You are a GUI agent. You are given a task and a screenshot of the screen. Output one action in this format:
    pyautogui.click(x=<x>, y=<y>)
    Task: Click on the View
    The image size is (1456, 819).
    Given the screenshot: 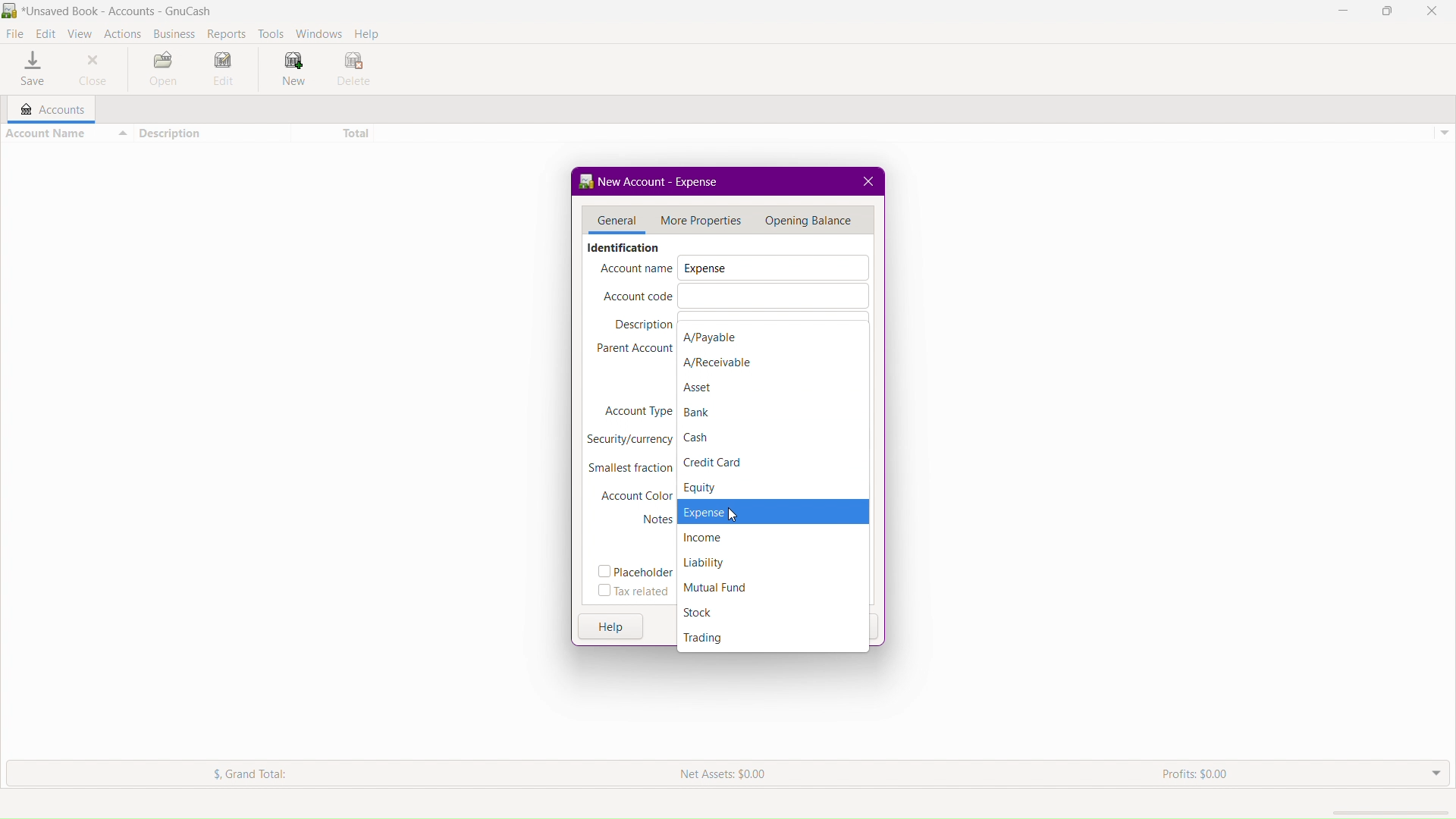 What is the action you would take?
    pyautogui.click(x=83, y=33)
    